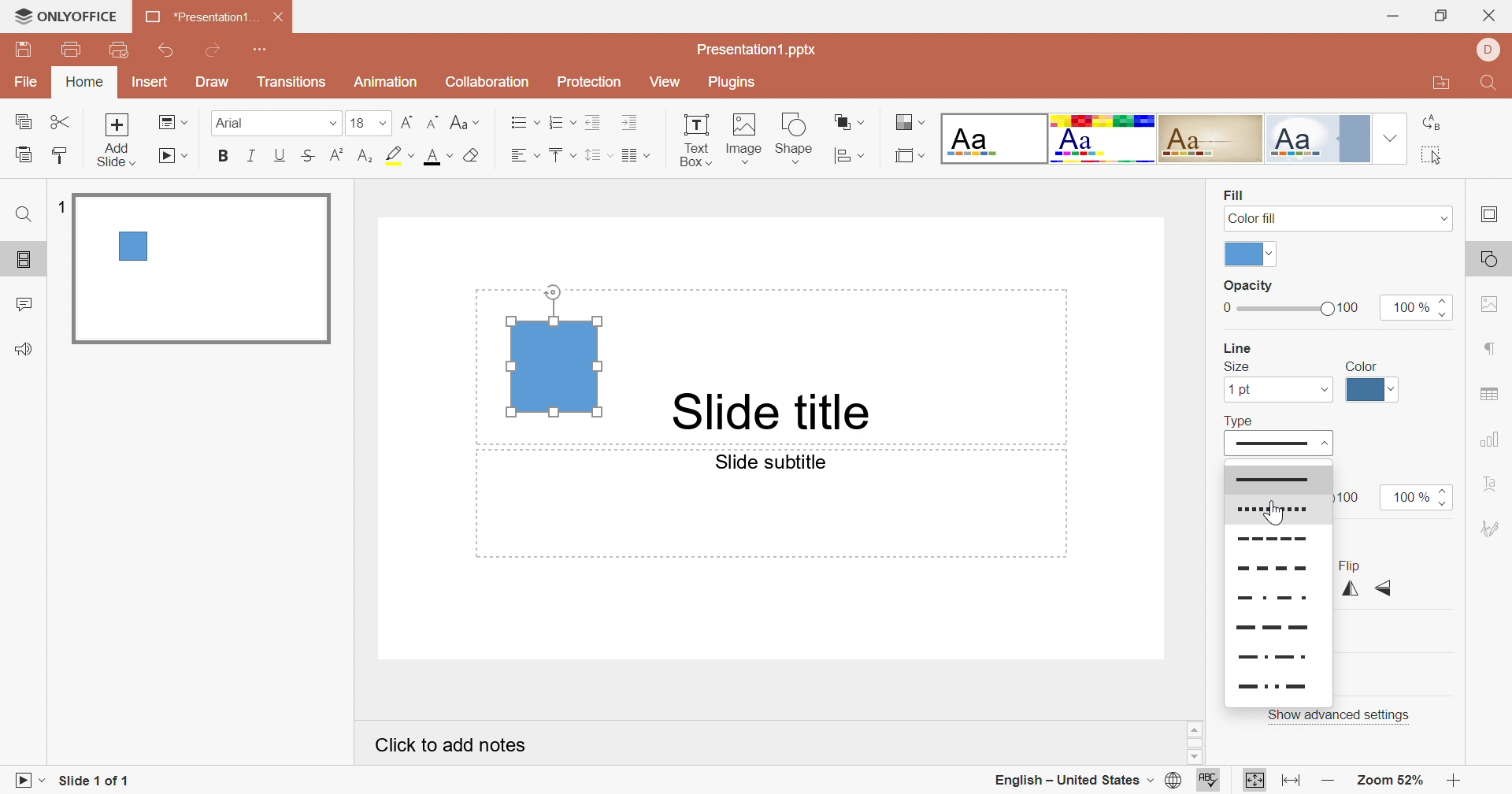 The width and height of the screenshot is (1512, 794). What do you see at coordinates (1491, 82) in the screenshot?
I see `Find` at bounding box center [1491, 82].